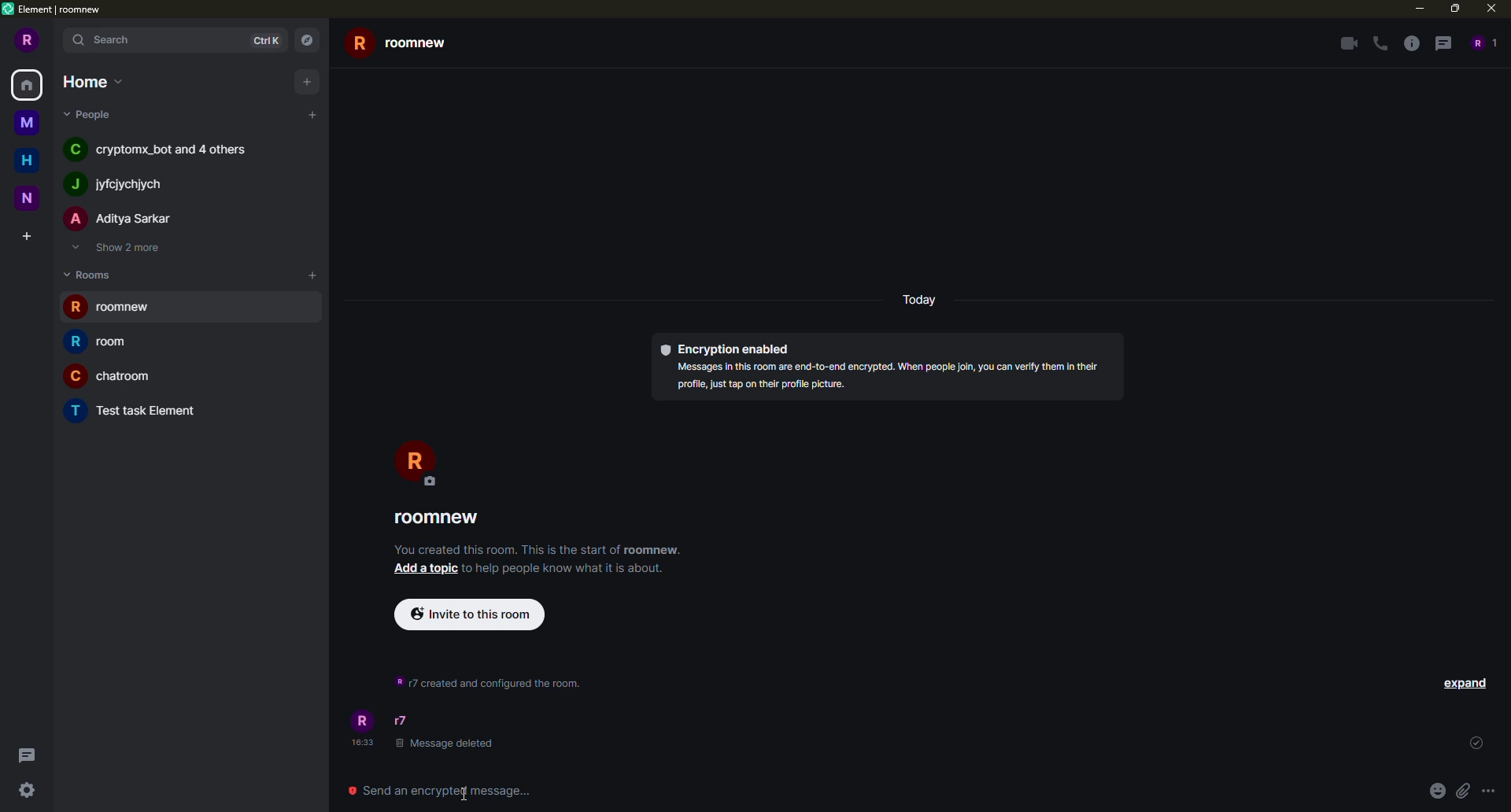 The width and height of the screenshot is (1511, 812). What do you see at coordinates (540, 549) in the screenshot?
I see `info` at bounding box center [540, 549].